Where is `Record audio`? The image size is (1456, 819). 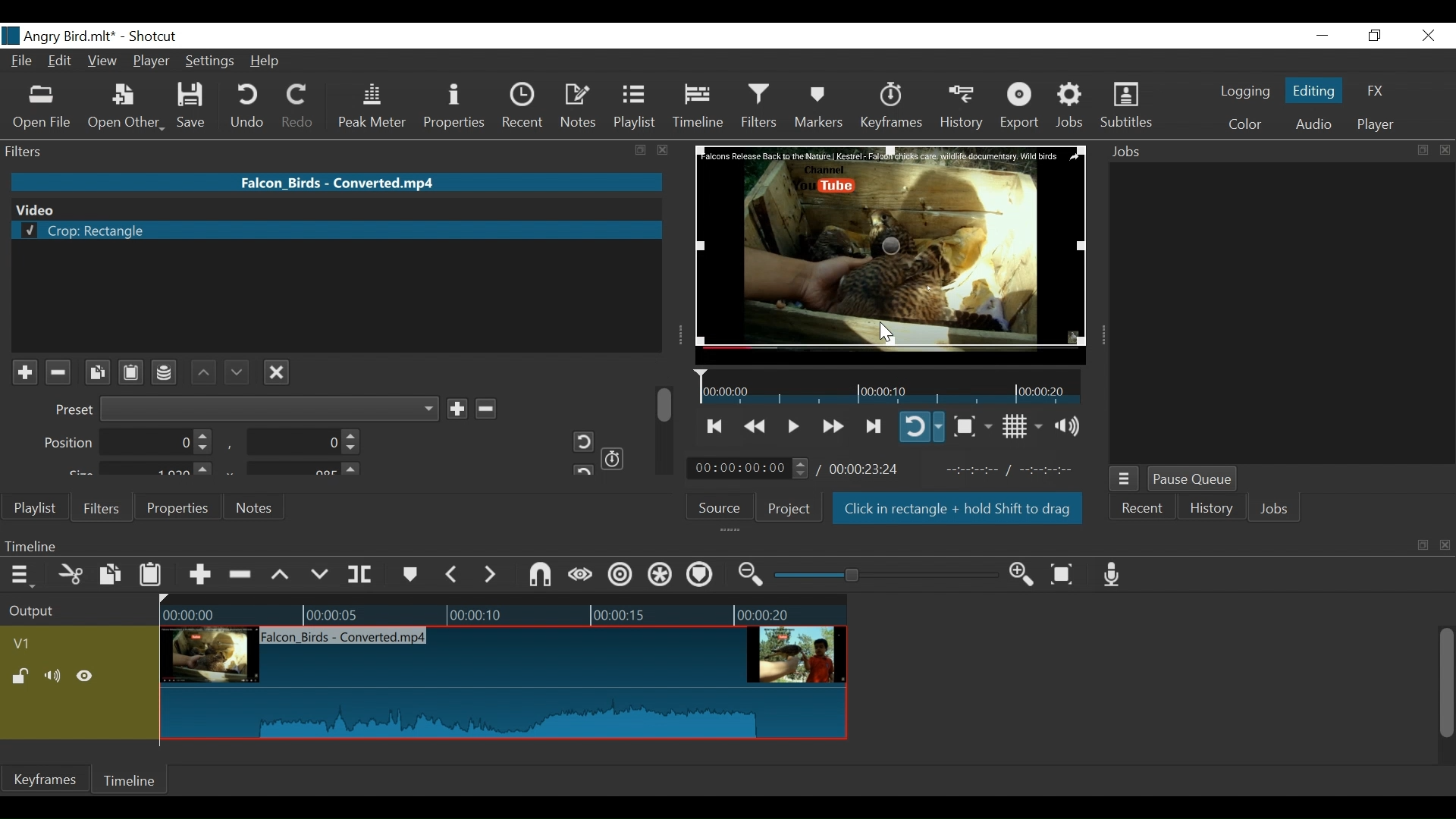
Record audio is located at coordinates (1112, 574).